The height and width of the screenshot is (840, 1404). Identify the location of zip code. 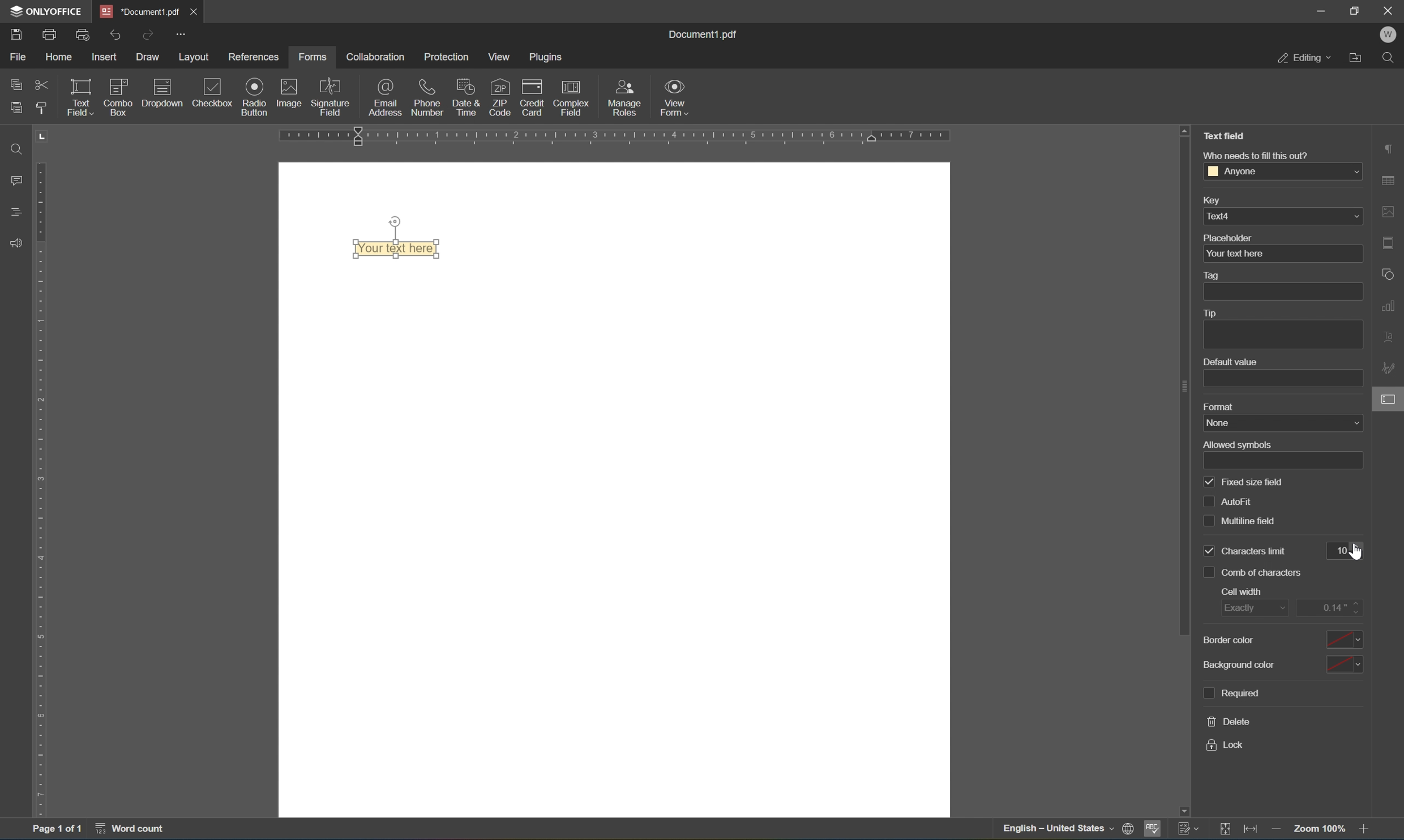
(499, 98).